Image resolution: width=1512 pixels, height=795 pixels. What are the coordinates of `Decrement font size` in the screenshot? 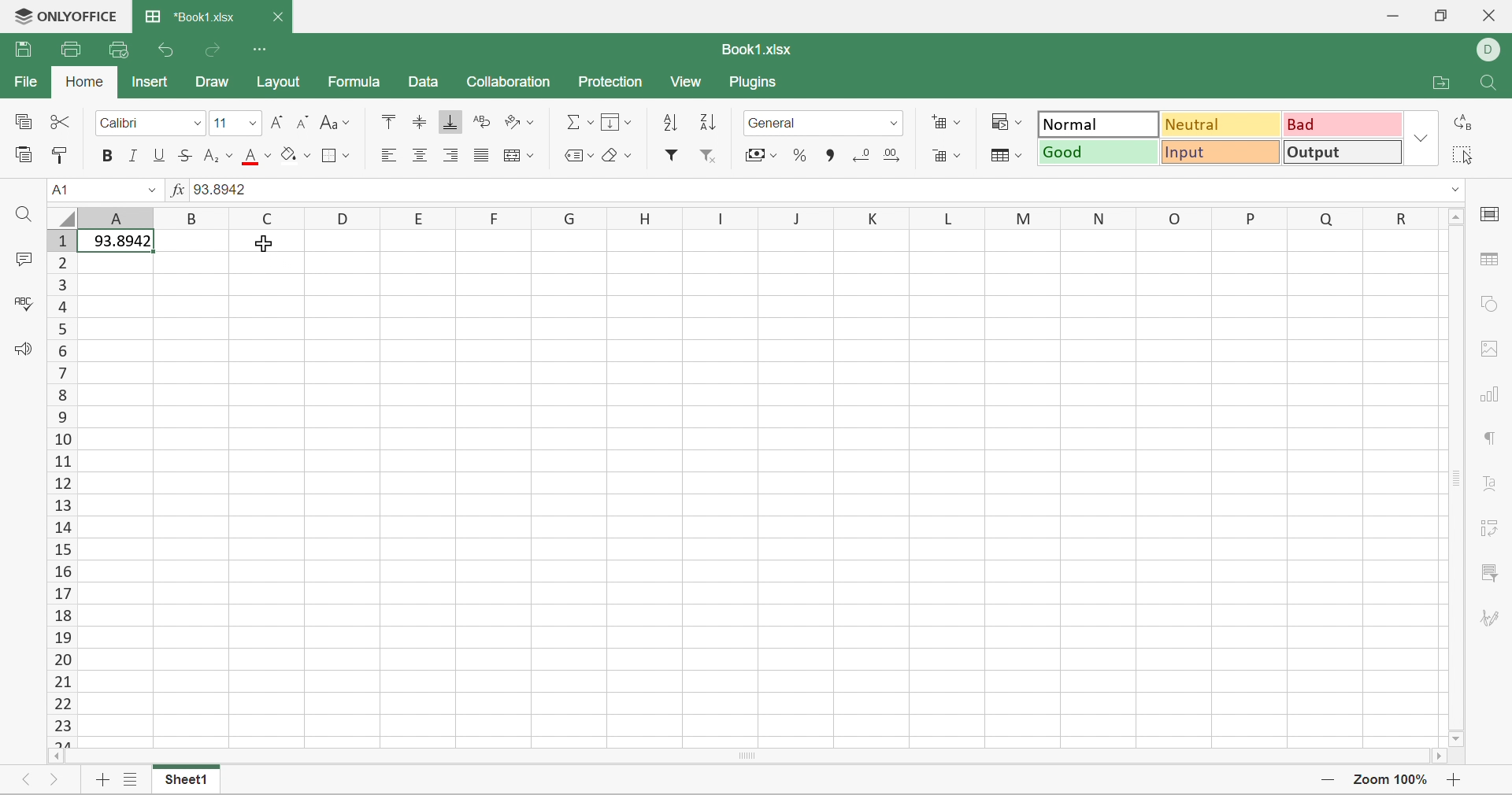 It's located at (302, 120).